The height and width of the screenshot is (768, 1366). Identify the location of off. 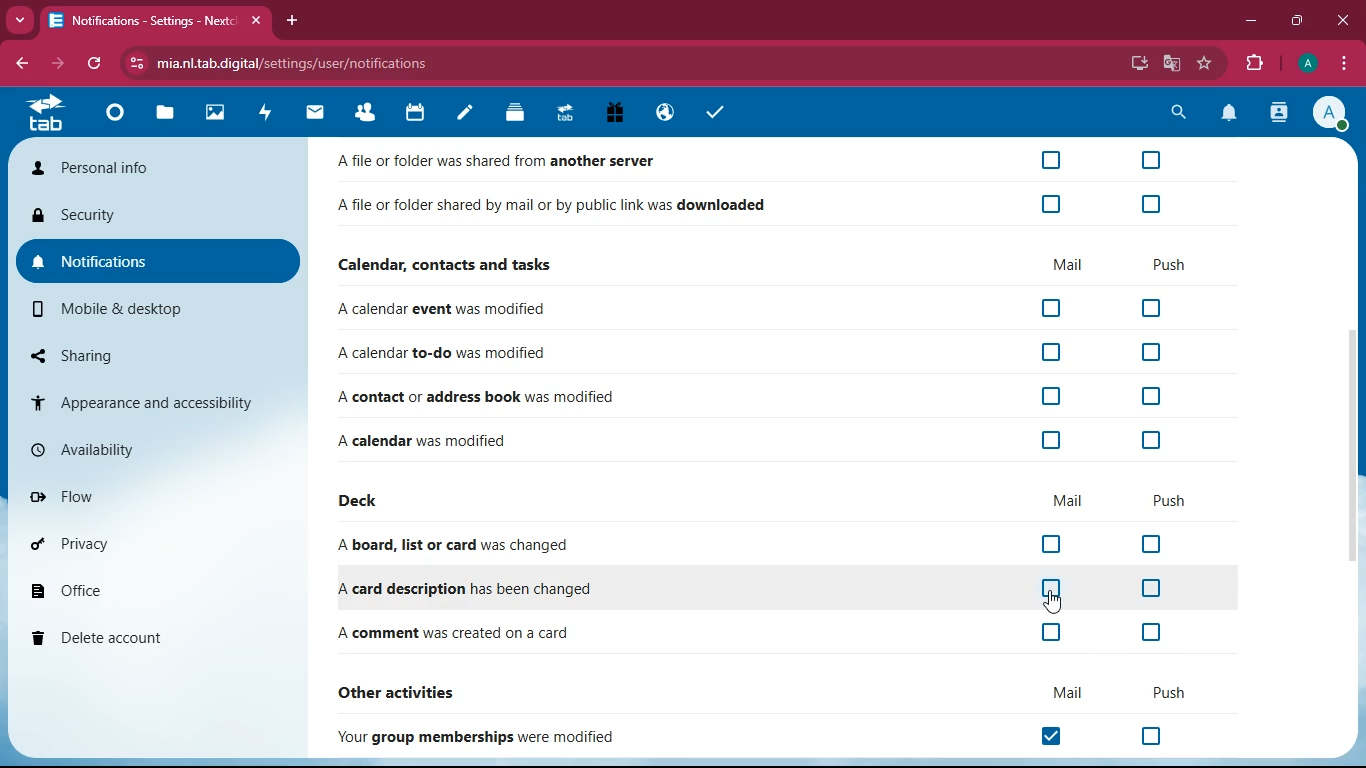
(1053, 633).